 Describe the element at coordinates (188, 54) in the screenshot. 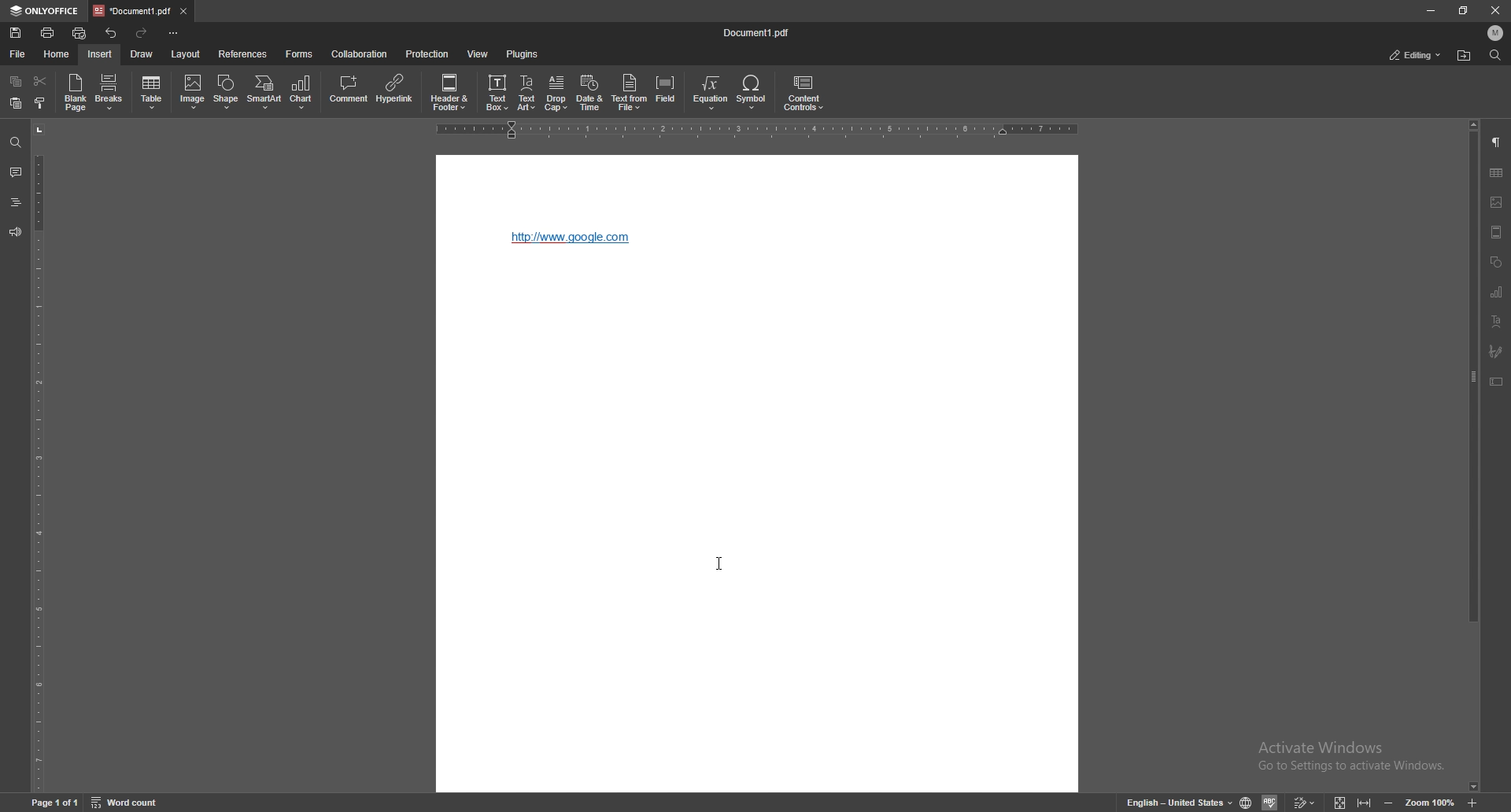

I see `layout` at that location.